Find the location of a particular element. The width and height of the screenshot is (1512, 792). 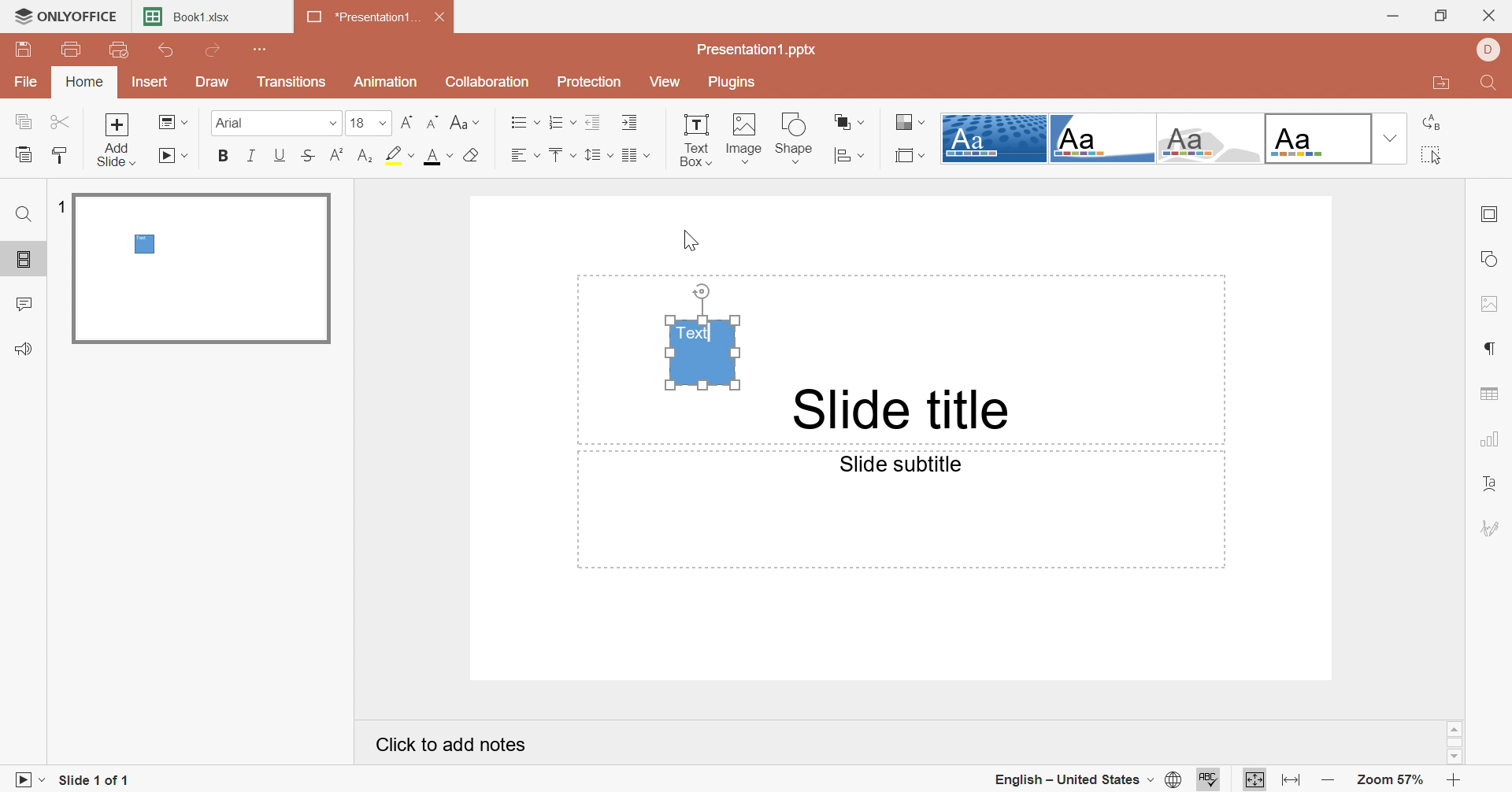

Copy is located at coordinates (25, 121).